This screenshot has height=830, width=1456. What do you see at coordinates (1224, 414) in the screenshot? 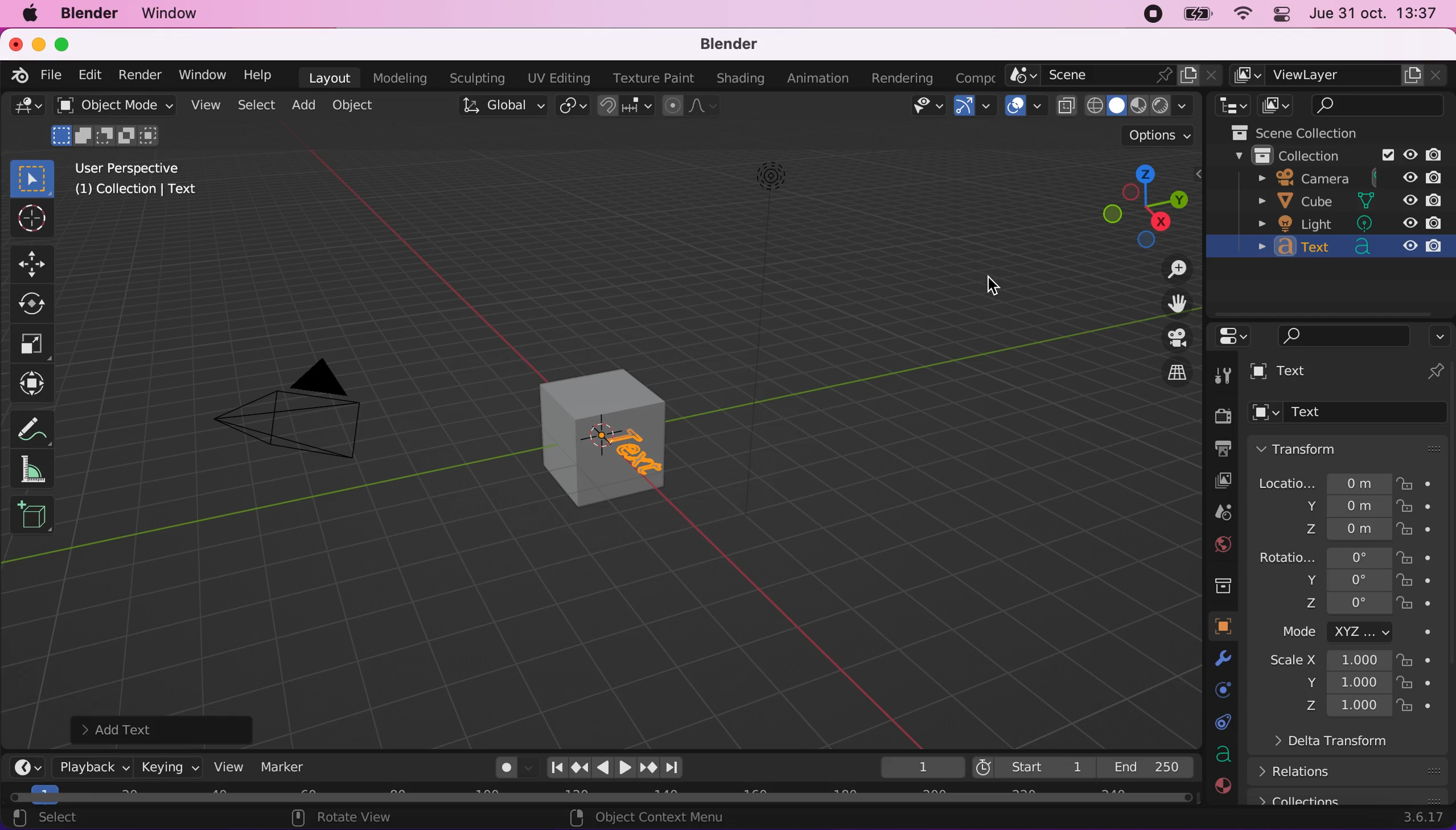
I see `render` at bounding box center [1224, 414].